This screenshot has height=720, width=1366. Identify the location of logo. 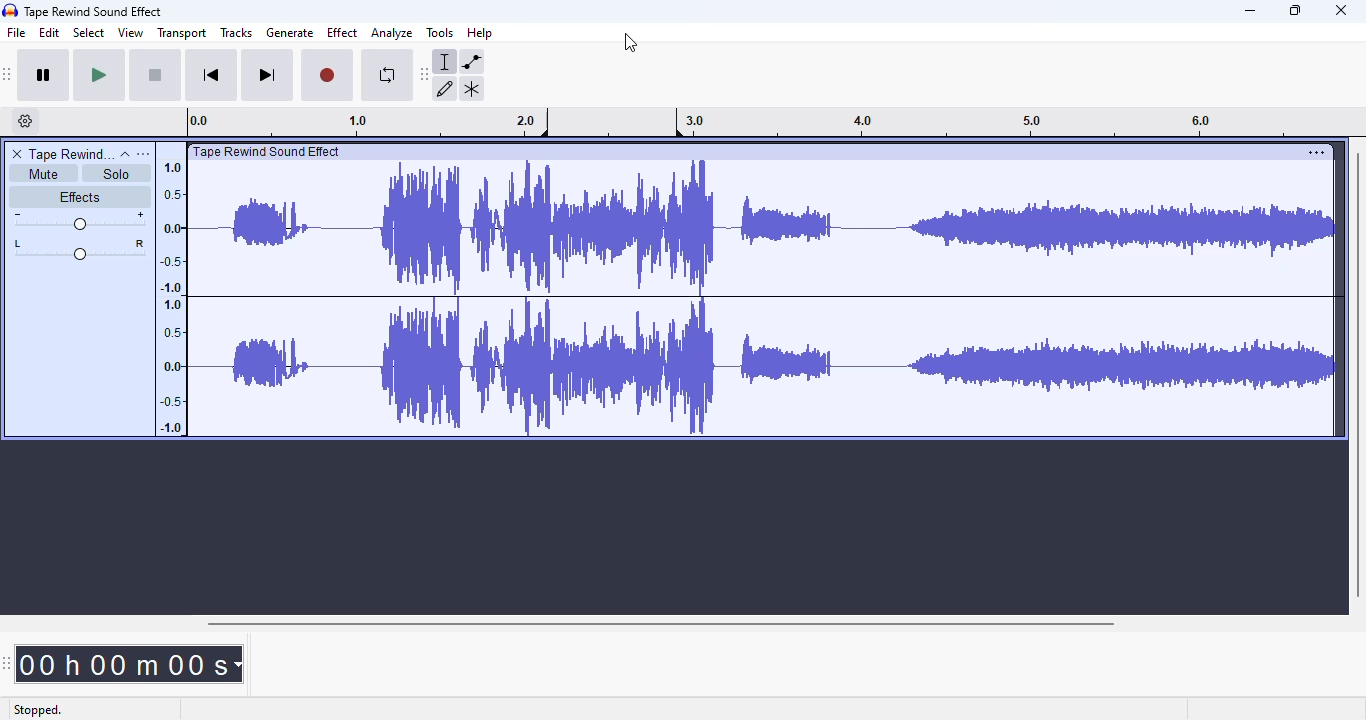
(10, 9).